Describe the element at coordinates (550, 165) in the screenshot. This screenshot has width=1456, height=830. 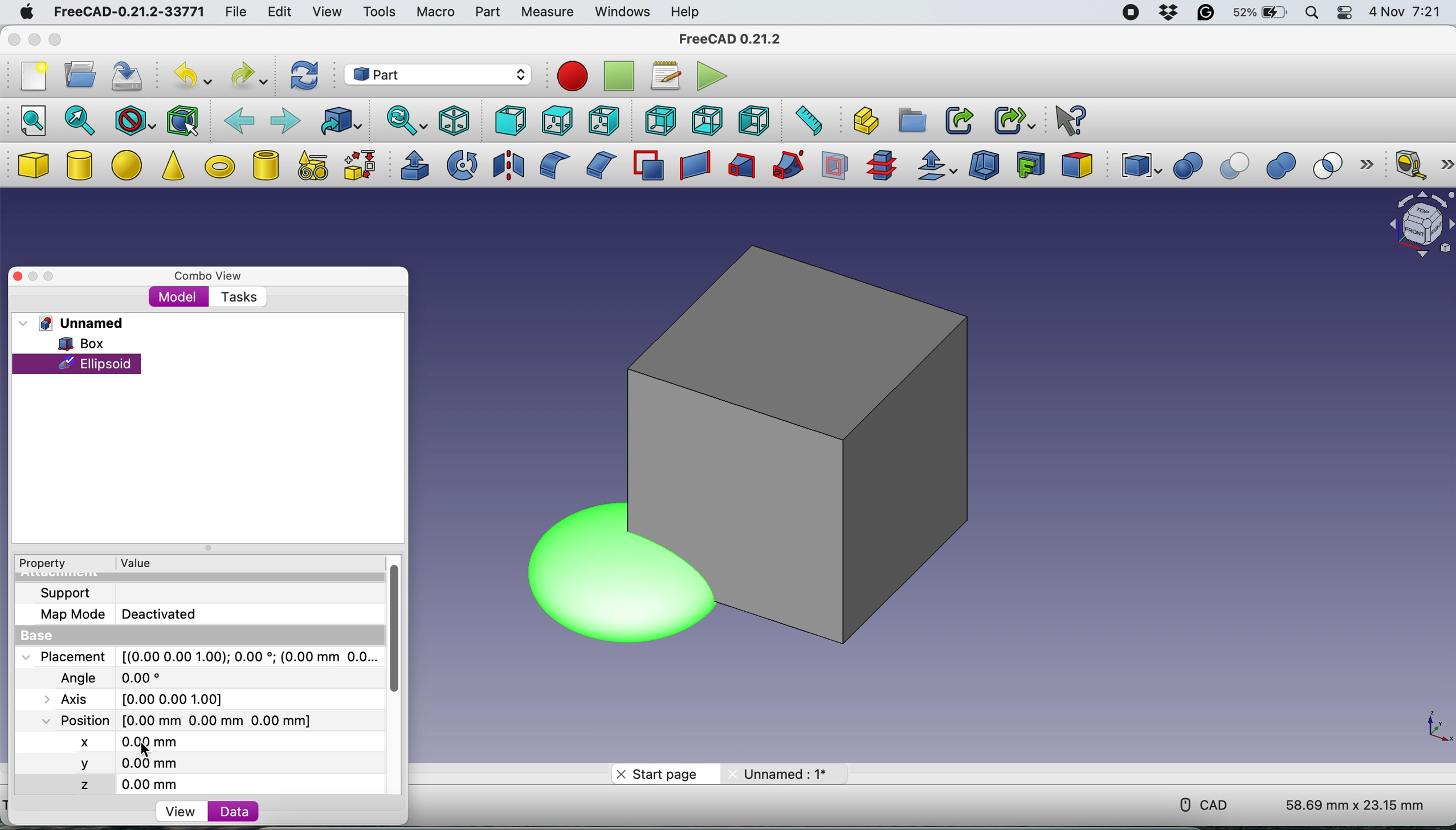
I see `fillet` at that location.